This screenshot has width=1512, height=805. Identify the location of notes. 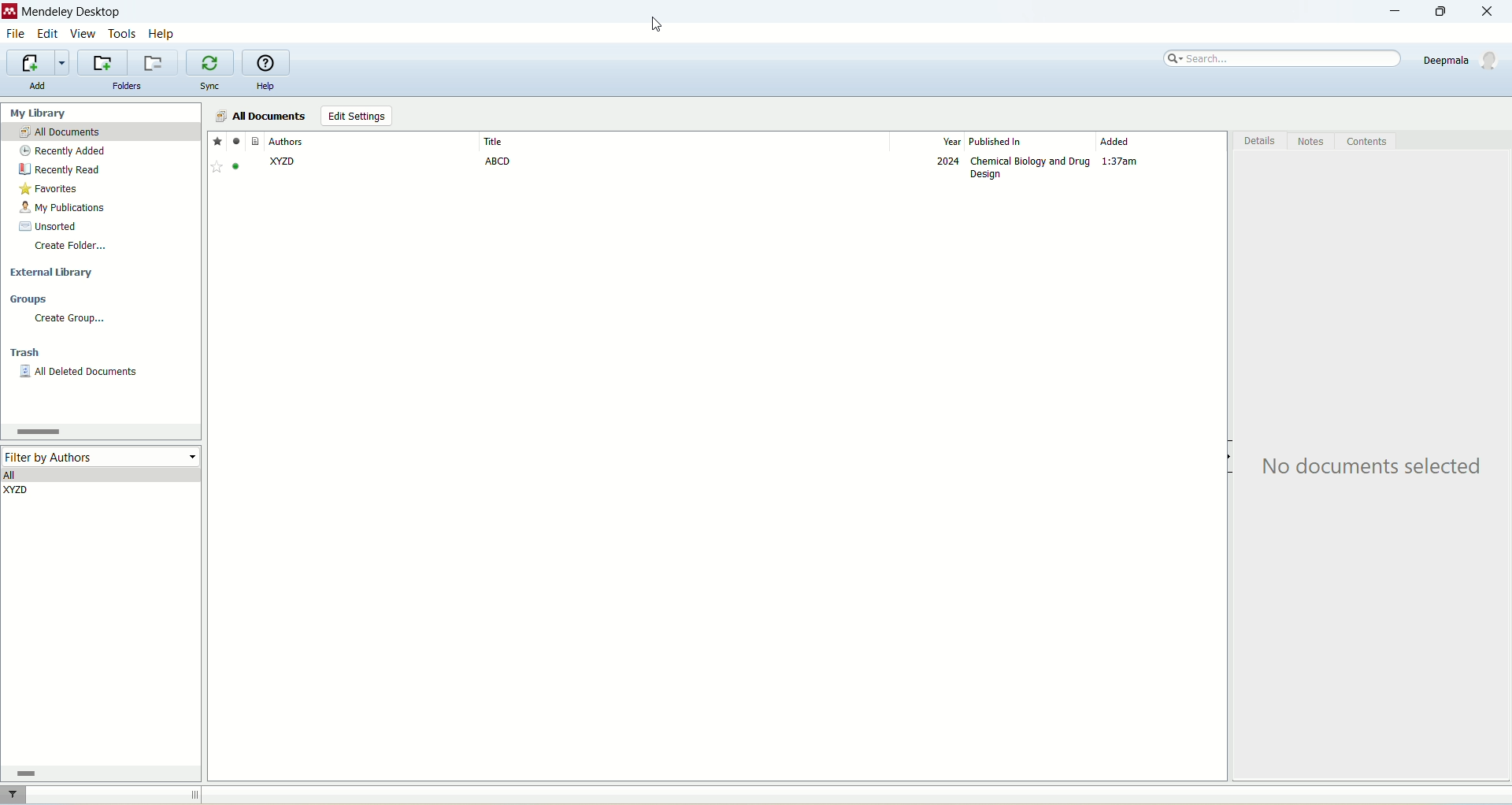
(1313, 142).